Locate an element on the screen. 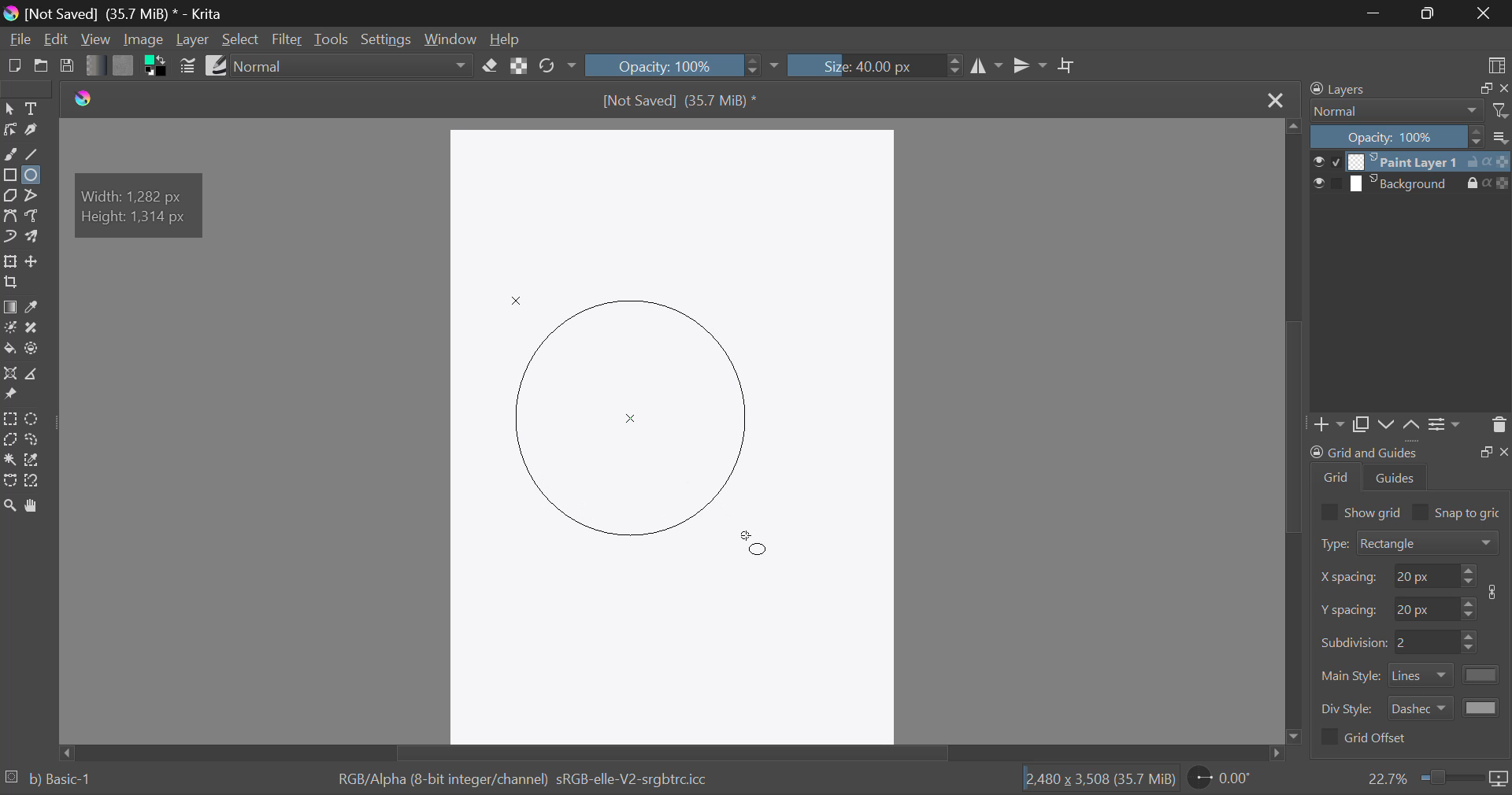 The width and height of the screenshot is (1512, 795). Freehand is located at coordinates (11, 154).